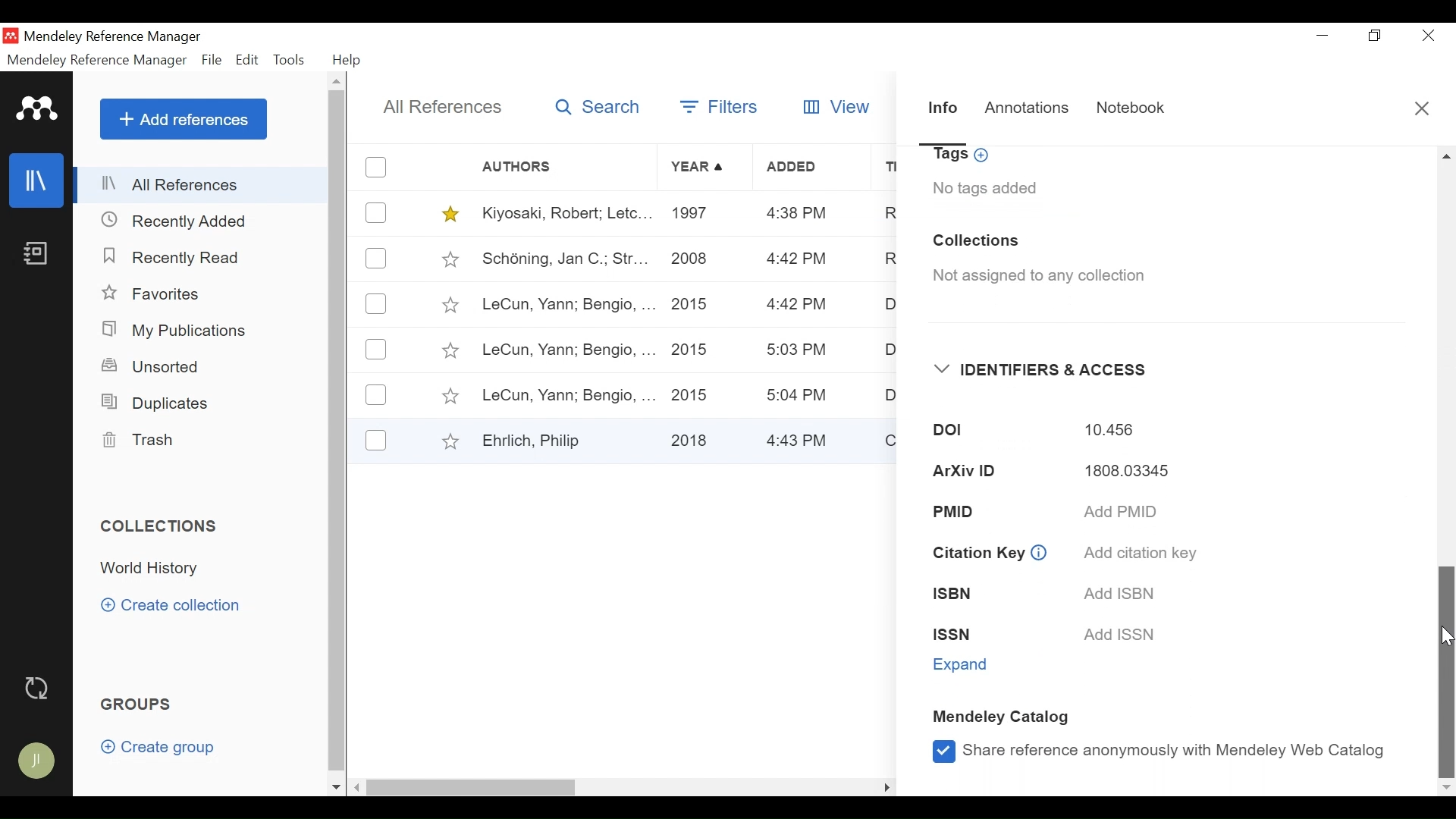  Describe the element at coordinates (1157, 750) in the screenshot. I see `Select Share reference anonymously with Mendeley Web Catalog` at that location.